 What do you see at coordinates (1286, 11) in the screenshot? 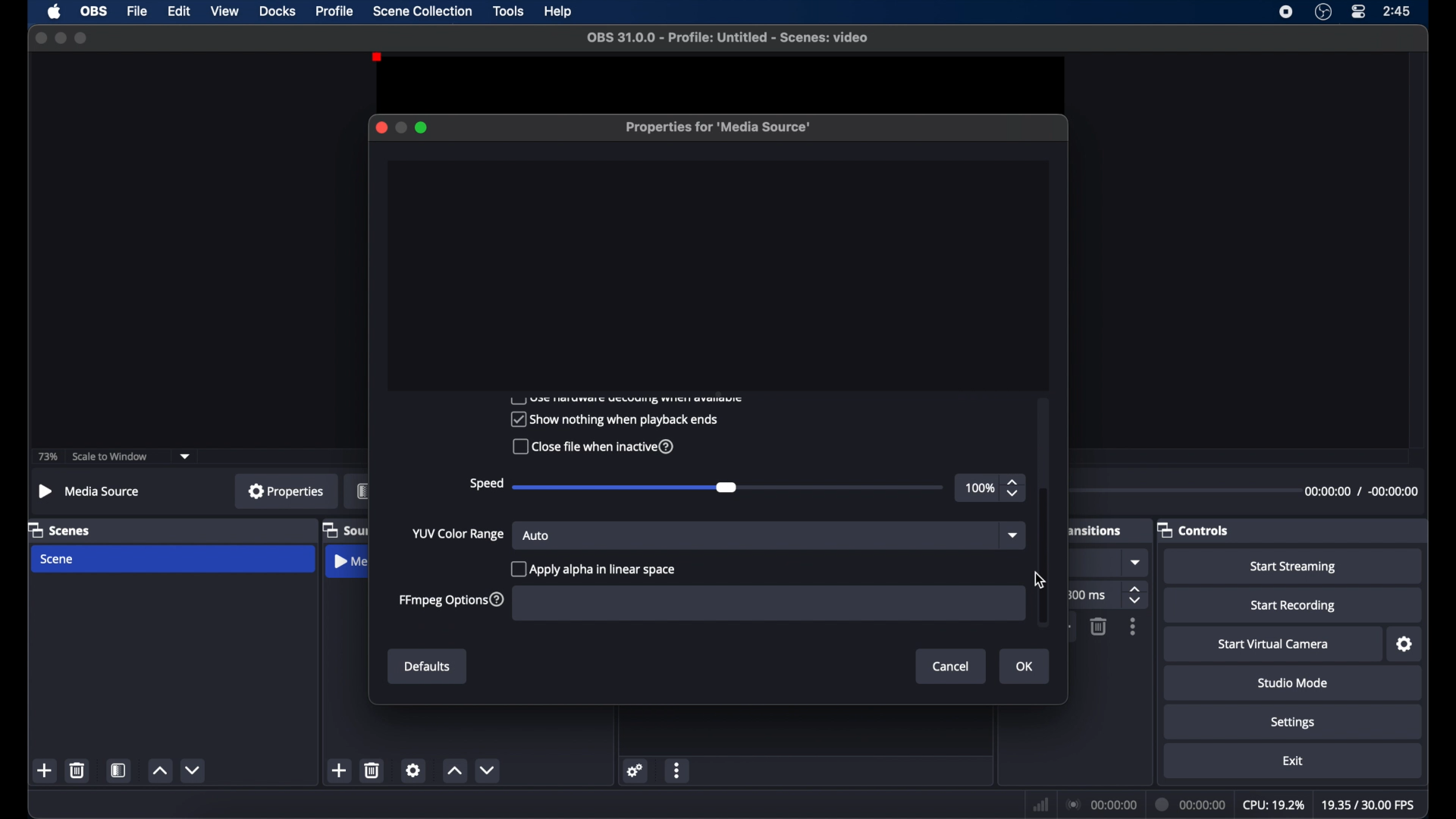
I see `screen recorder icon` at bounding box center [1286, 11].